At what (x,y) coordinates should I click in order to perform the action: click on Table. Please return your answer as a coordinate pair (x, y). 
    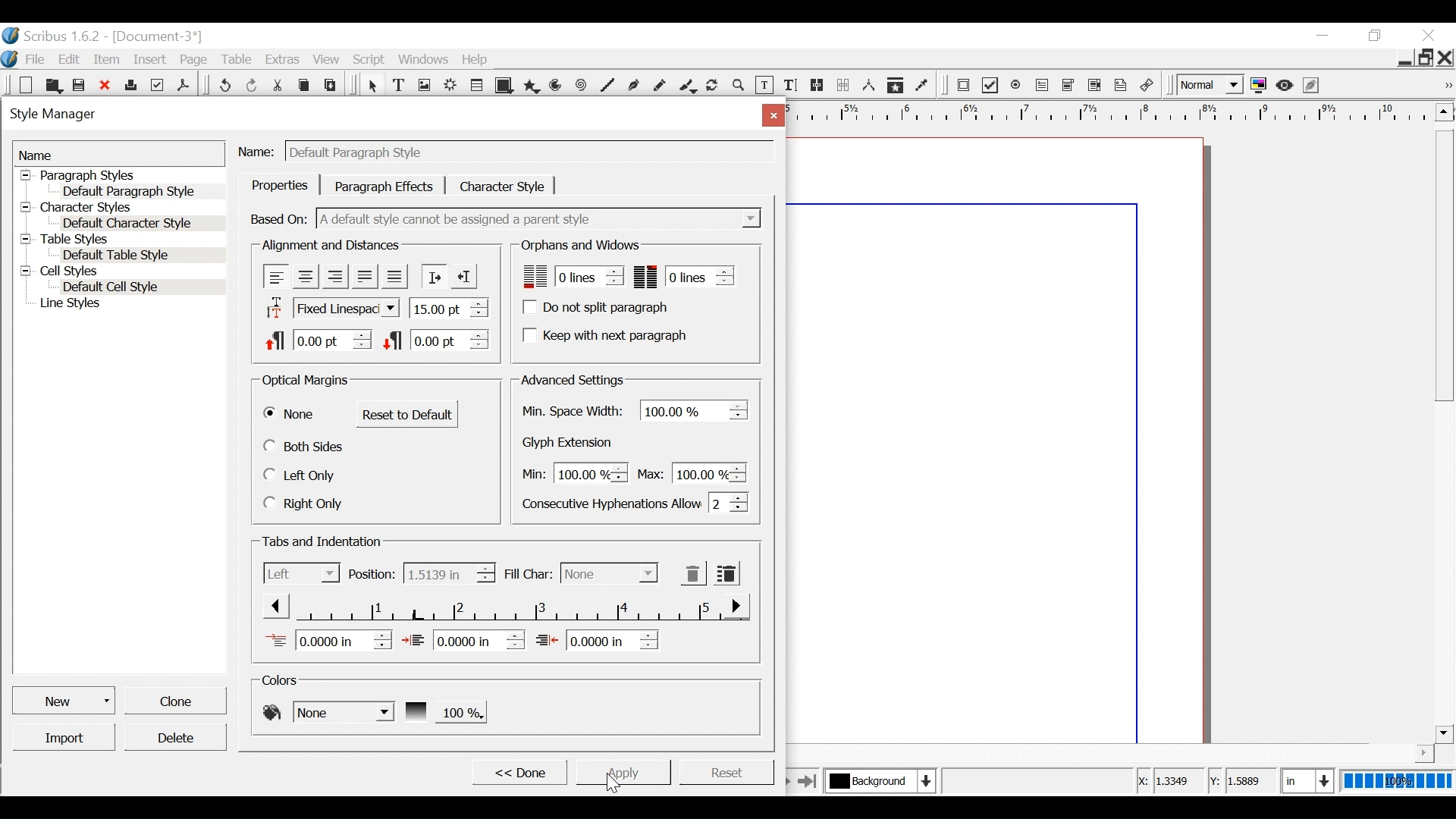
    Looking at the image, I should click on (479, 86).